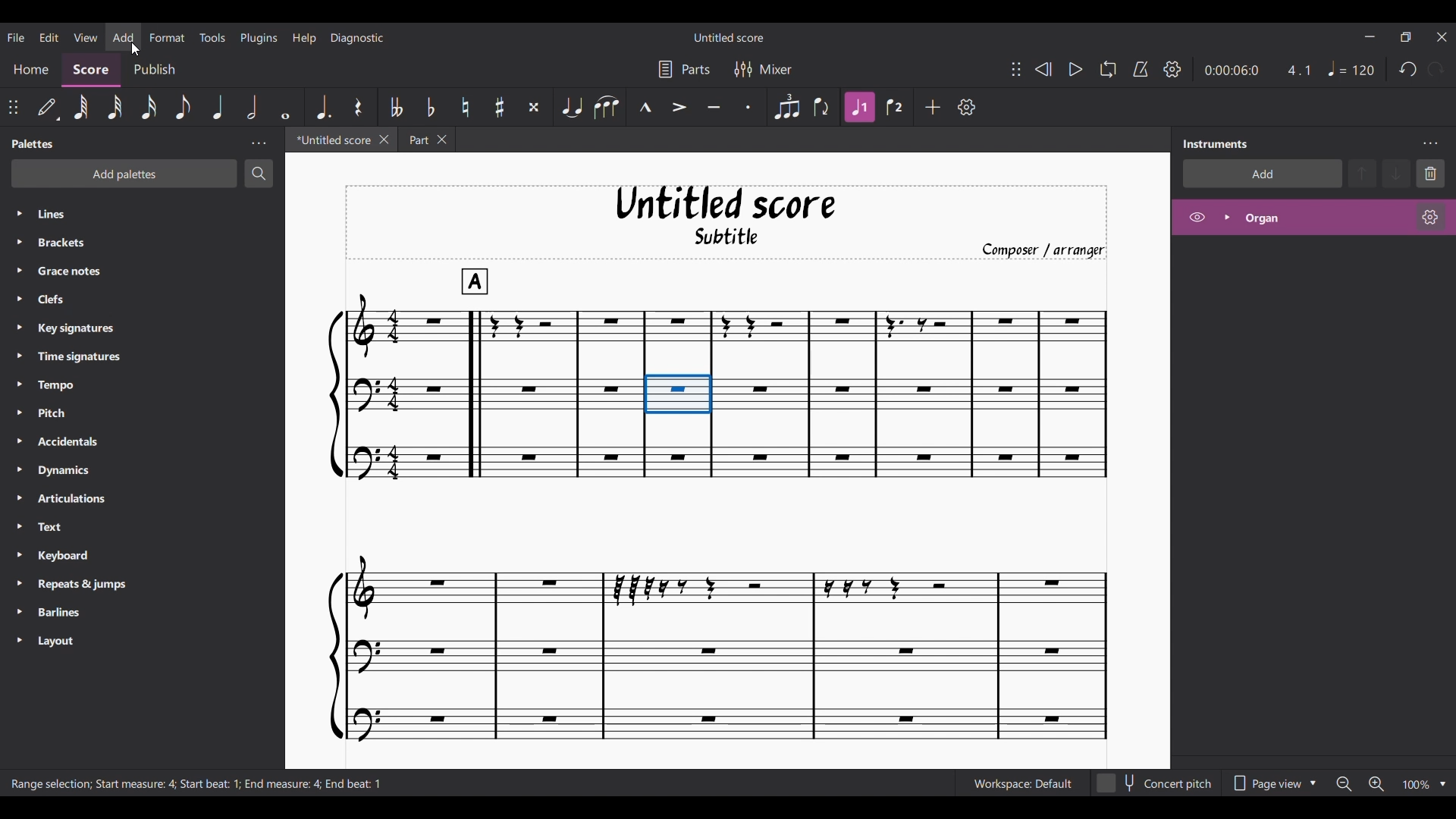 The width and height of the screenshot is (1456, 819). What do you see at coordinates (157, 429) in the screenshot?
I see `Palette in panel listed down` at bounding box center [157, 429].